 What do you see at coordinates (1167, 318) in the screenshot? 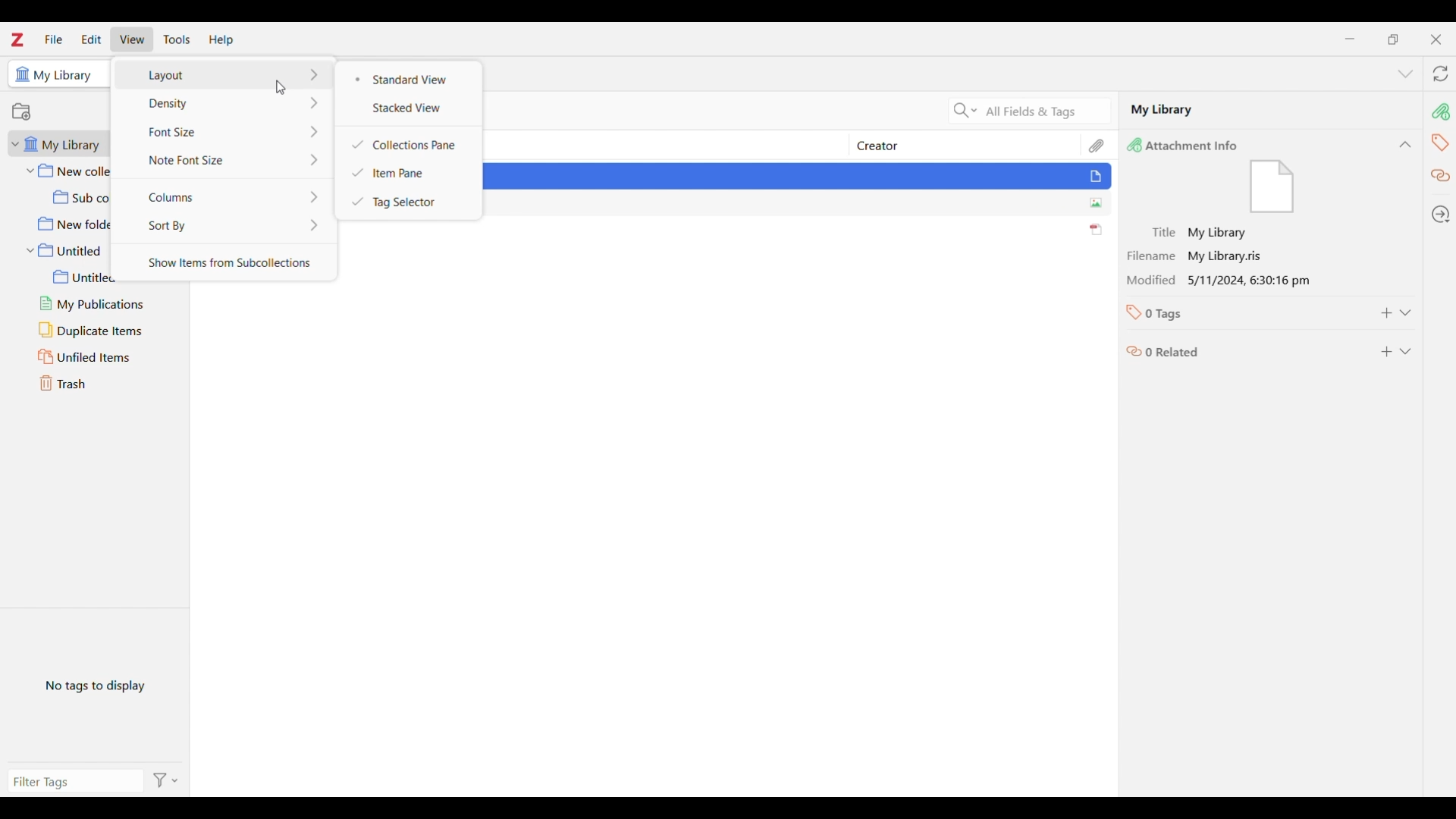
I see `0 tags` at bounding box center [1167, 318].